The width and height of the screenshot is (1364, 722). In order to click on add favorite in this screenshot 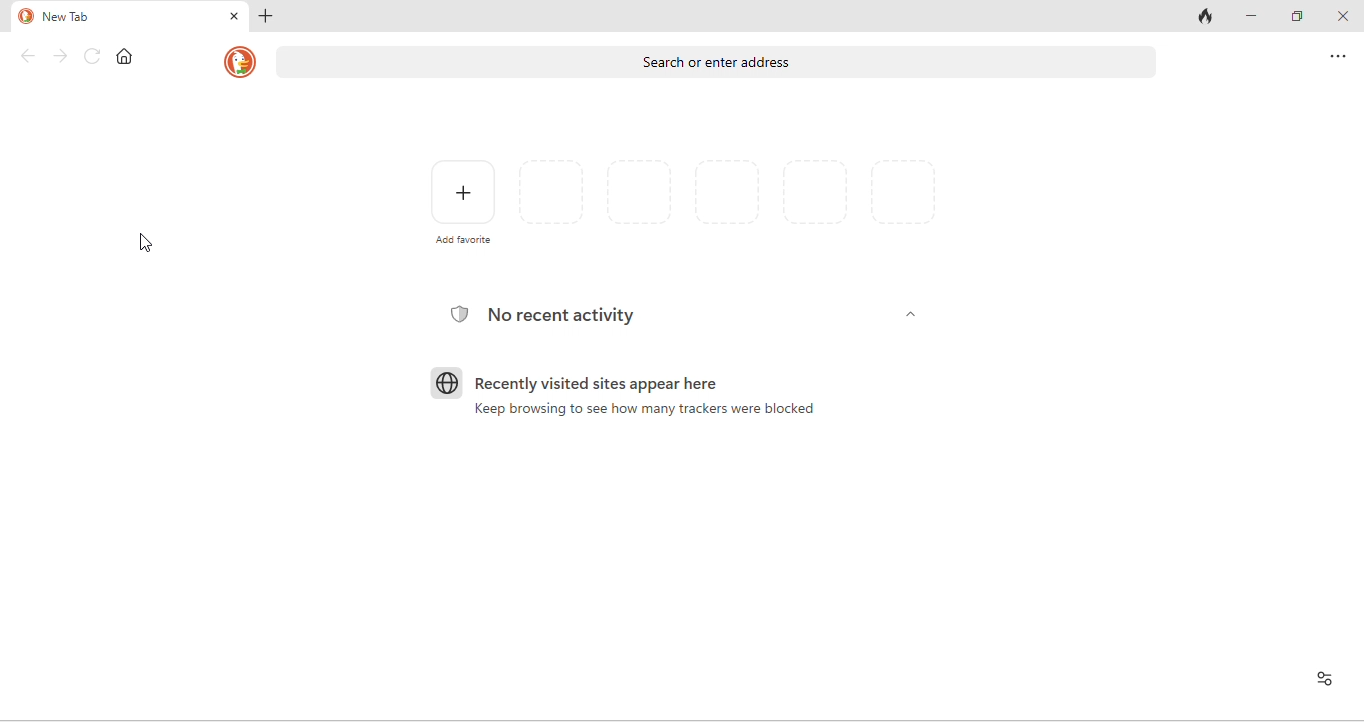, I will do `click(463, 199)`.